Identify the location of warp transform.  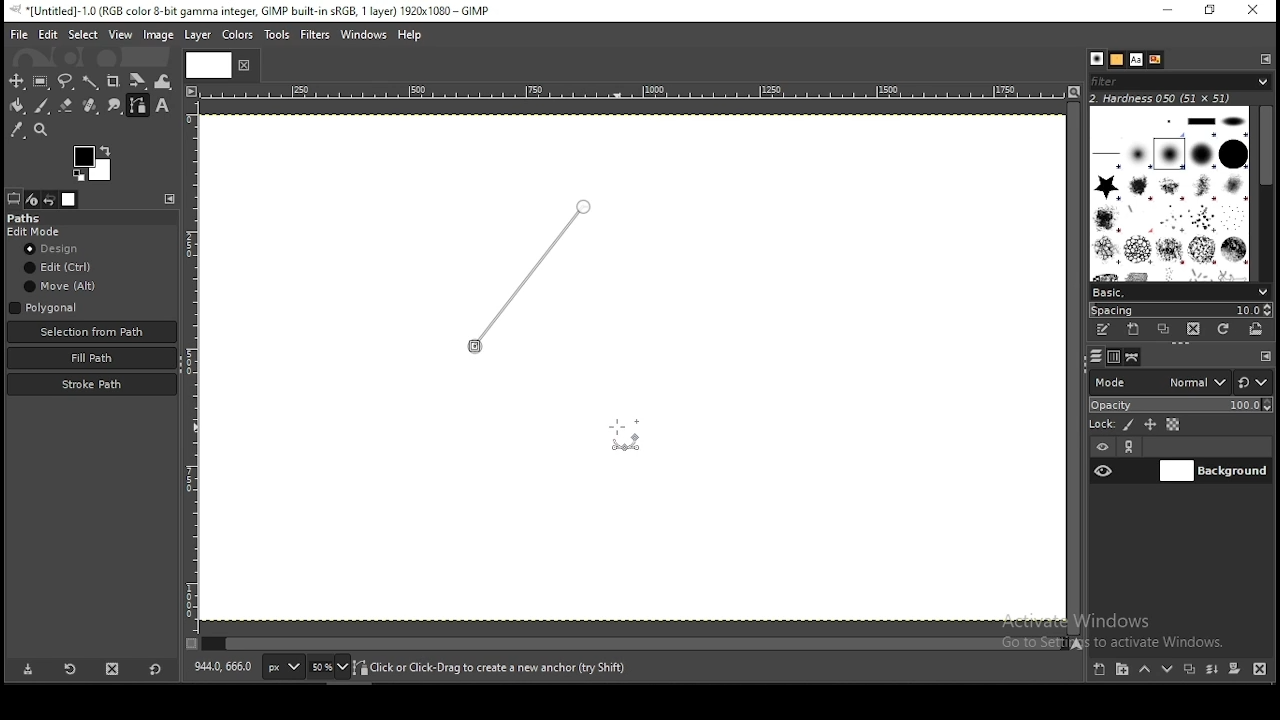
(164, 81).